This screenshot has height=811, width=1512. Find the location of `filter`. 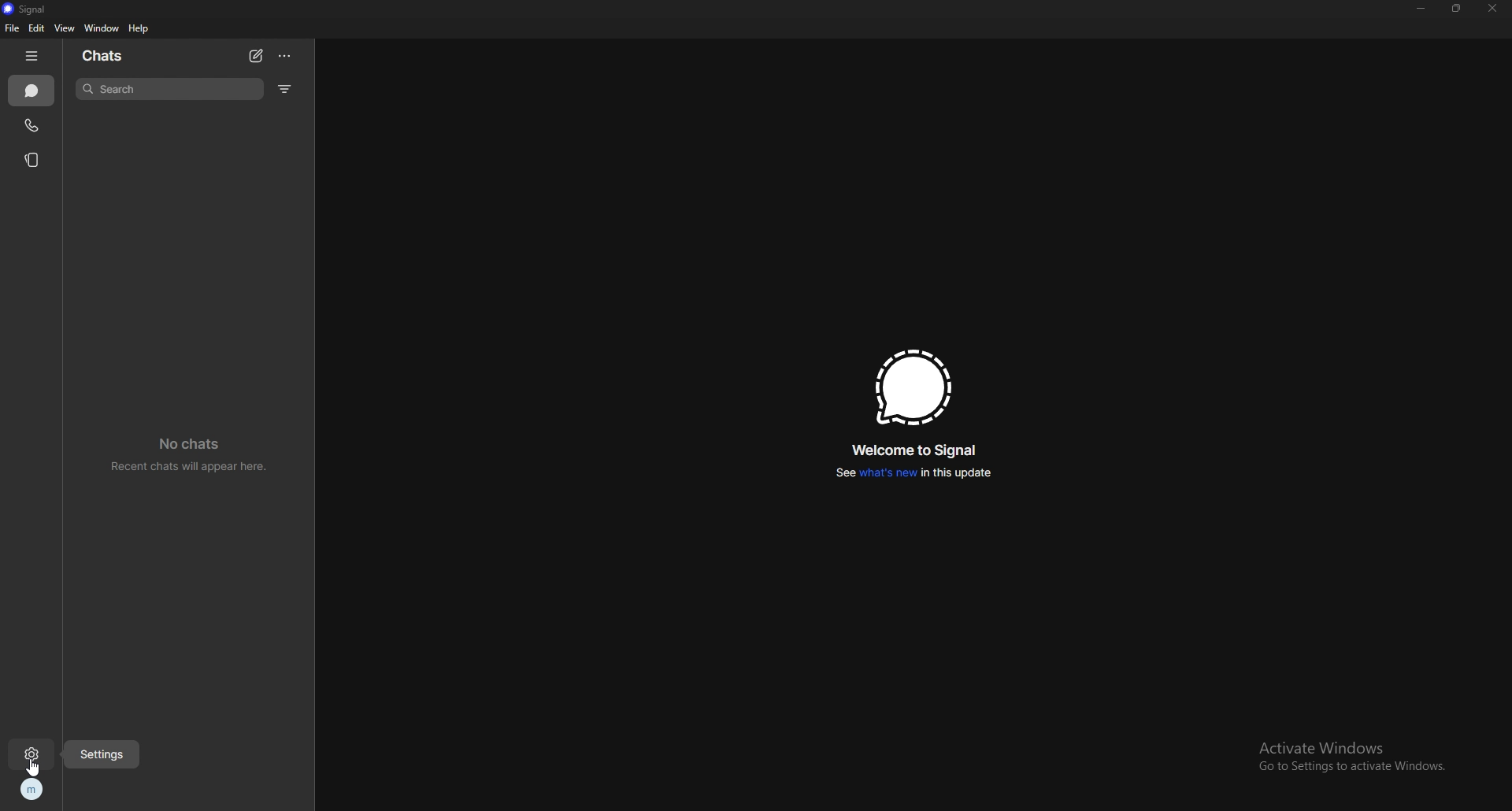

filter is located at coordinates (285, 89).